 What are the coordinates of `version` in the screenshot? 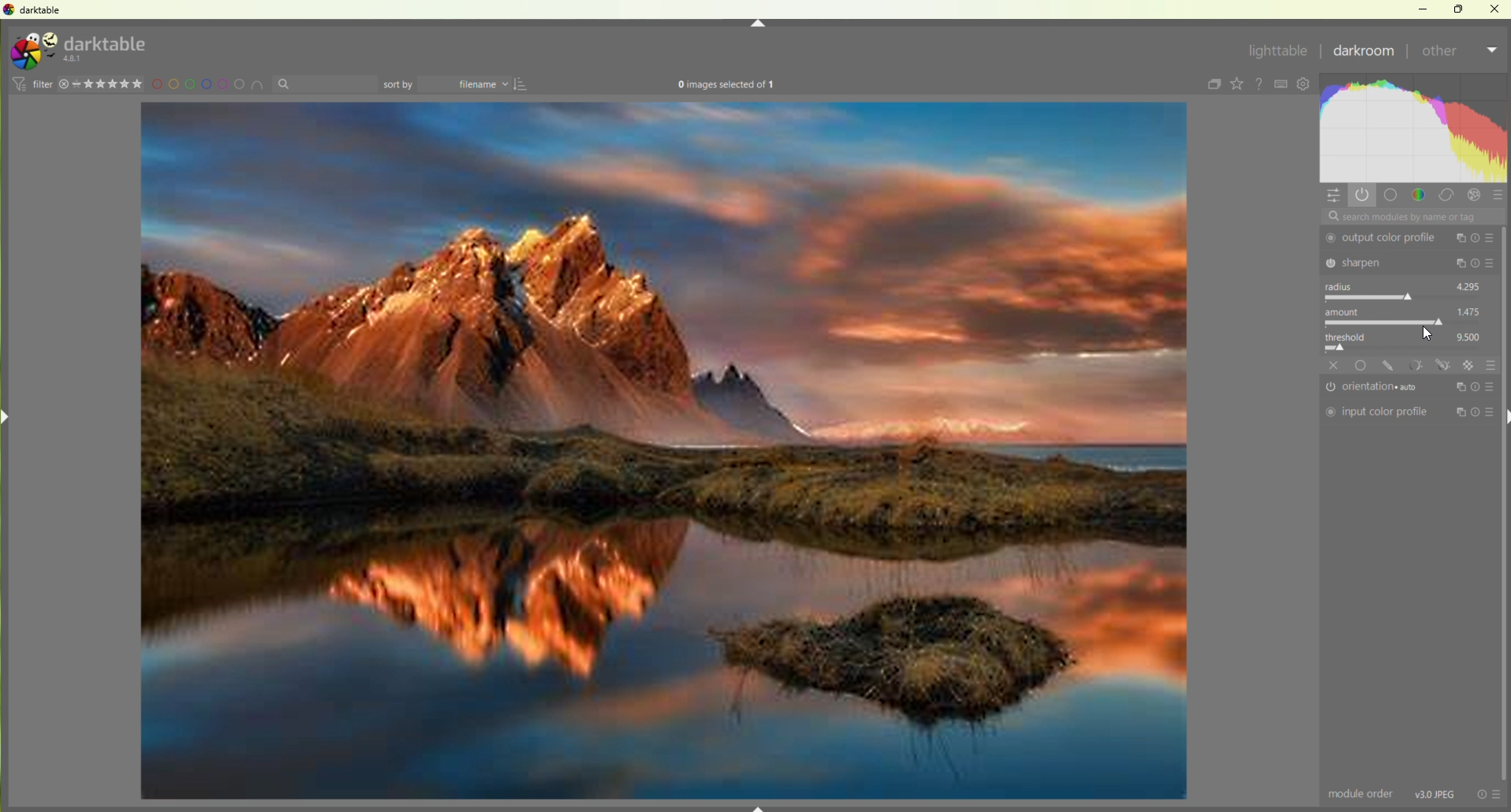 It's located at (75, 59).